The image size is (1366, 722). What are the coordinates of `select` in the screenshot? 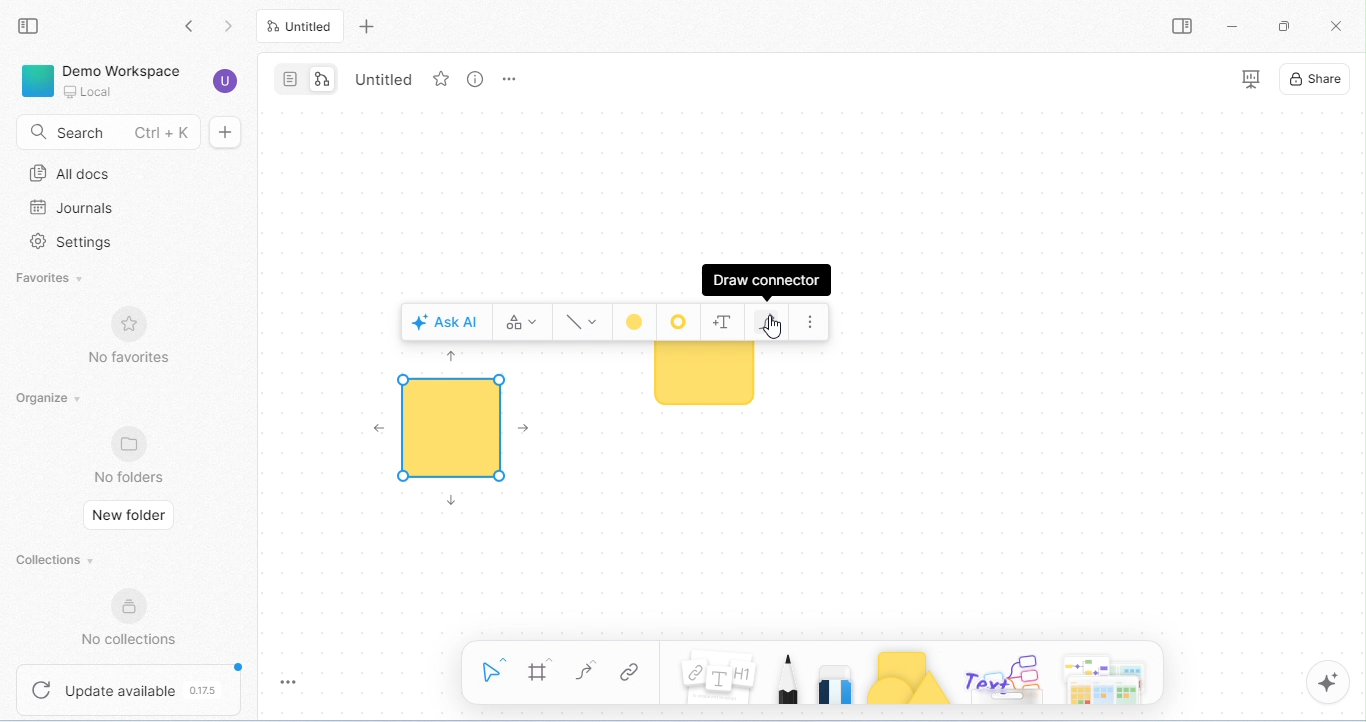 It's located at (496, 669).